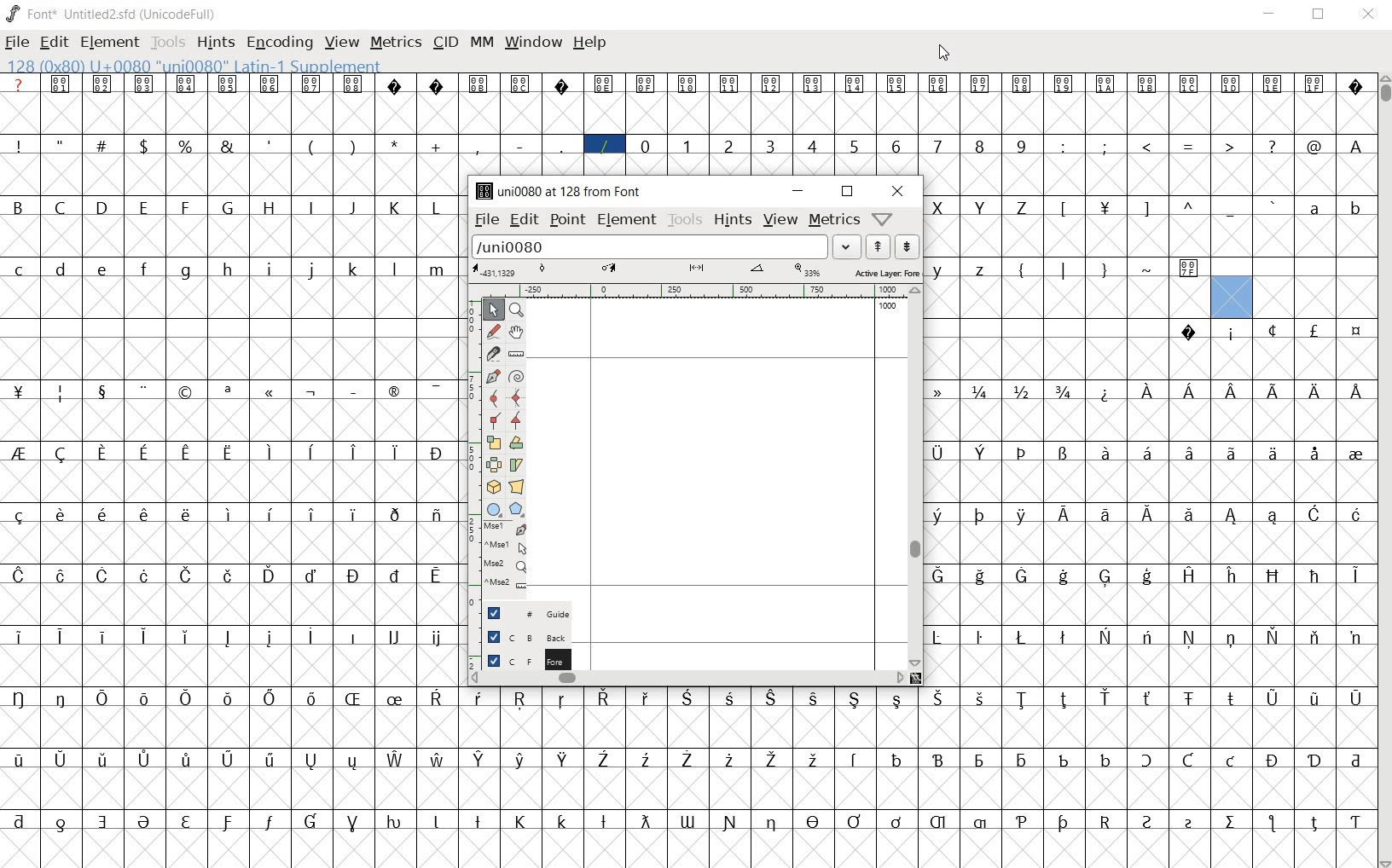 The image size is (1392, 868). Describe the element at coordinates (187, 637) in the screenshot. I see `glyph` at that location.